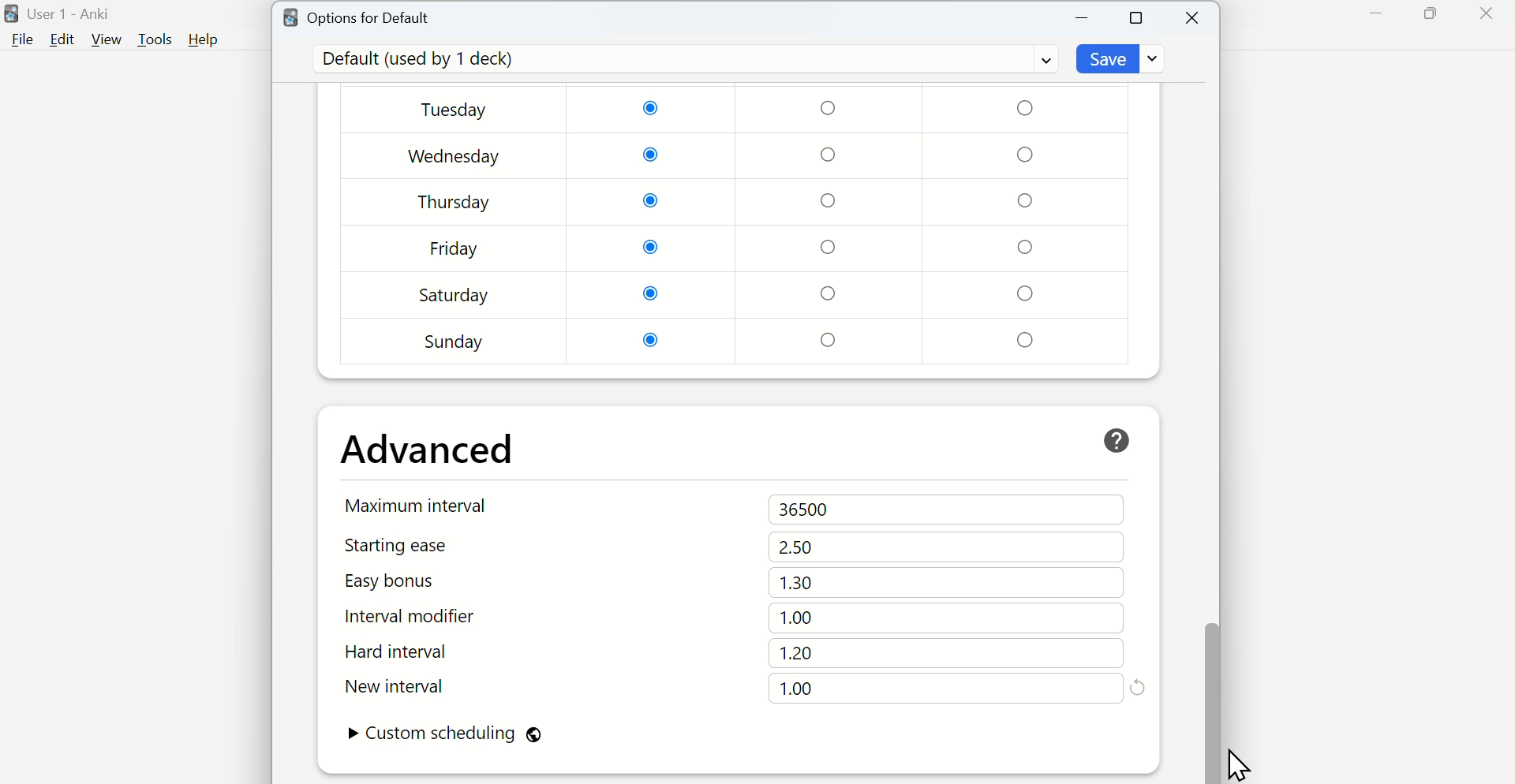 The image size is (1515, 784). Describe the element at coordinates (428, 450) in the screenshot. I see `Advanced` at that location.